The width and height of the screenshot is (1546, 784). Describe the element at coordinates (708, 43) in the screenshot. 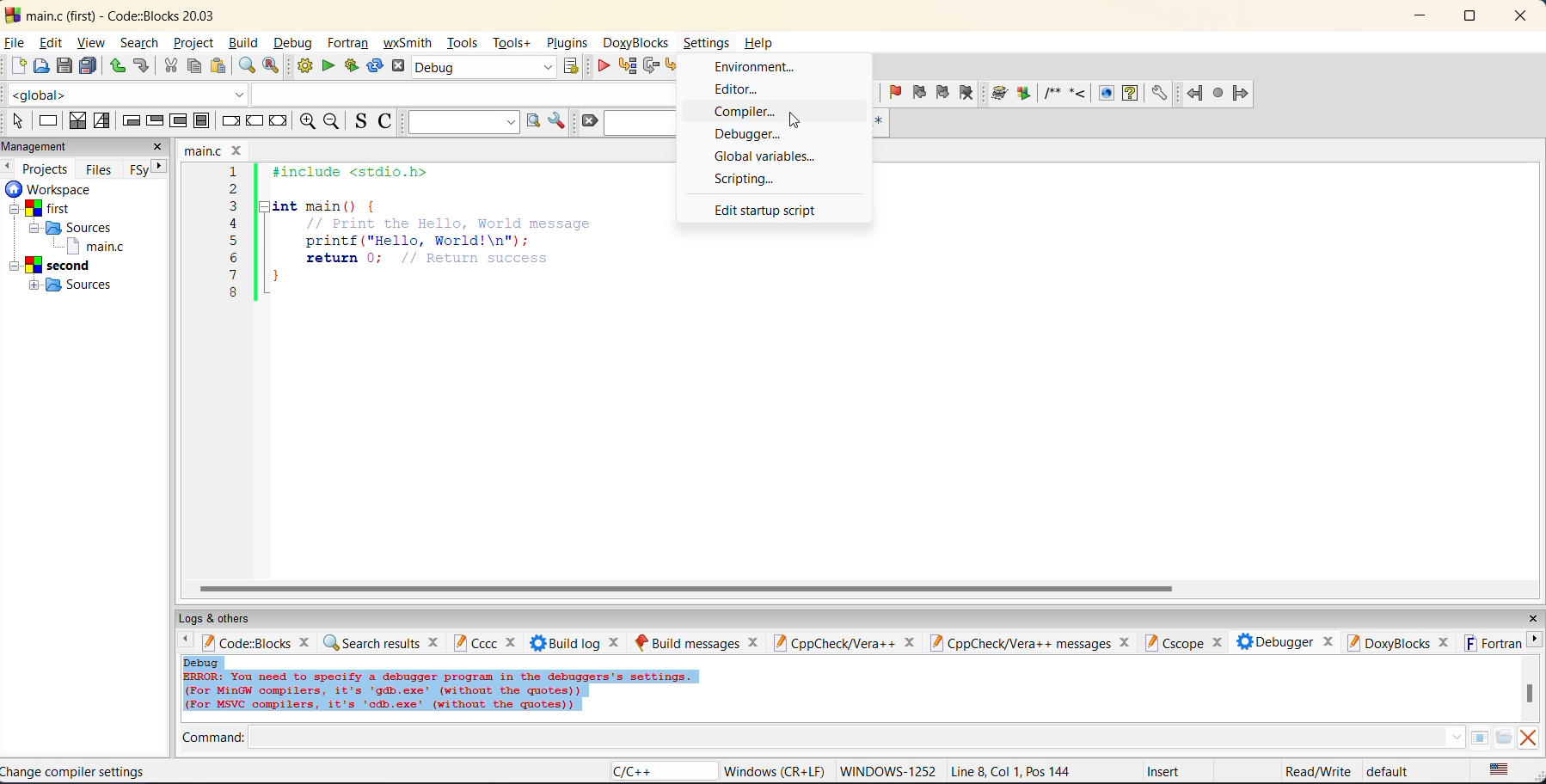

I see `Settings` at that location.